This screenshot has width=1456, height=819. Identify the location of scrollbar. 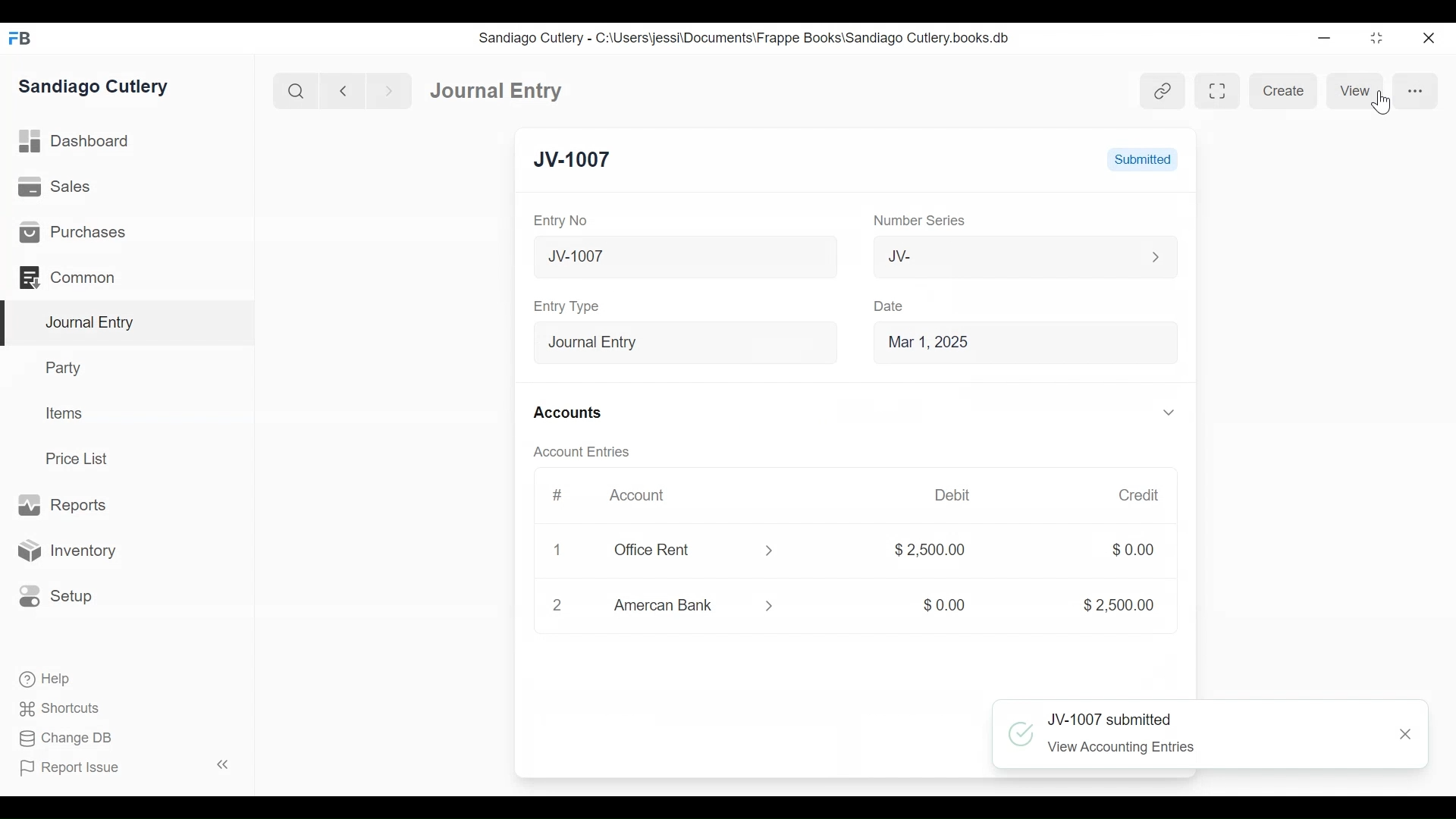
(1190, 426).